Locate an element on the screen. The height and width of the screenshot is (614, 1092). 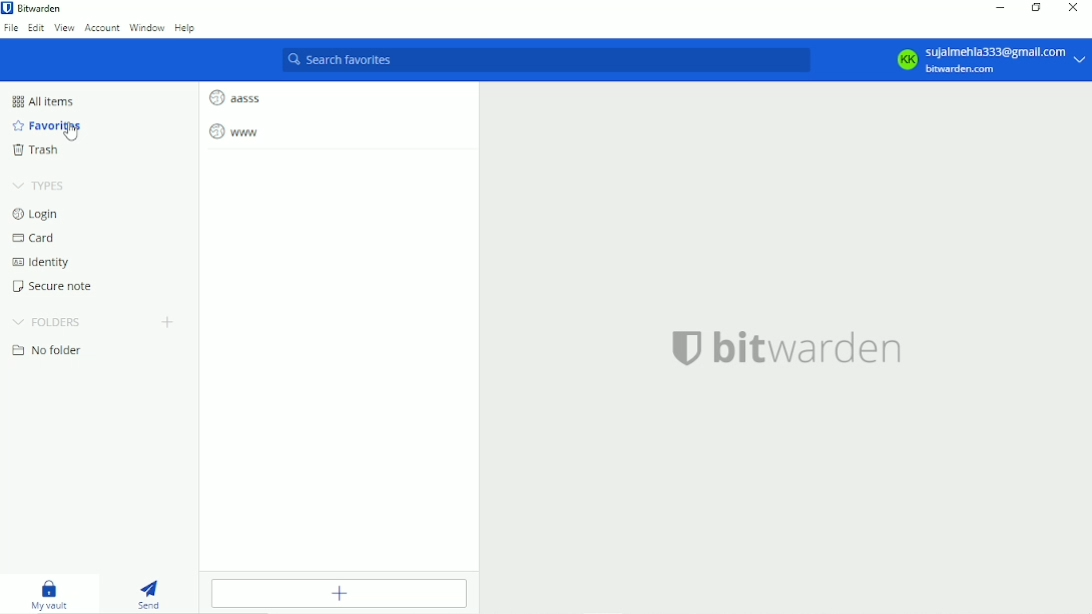
No folder is located at coordinates (49, 351).